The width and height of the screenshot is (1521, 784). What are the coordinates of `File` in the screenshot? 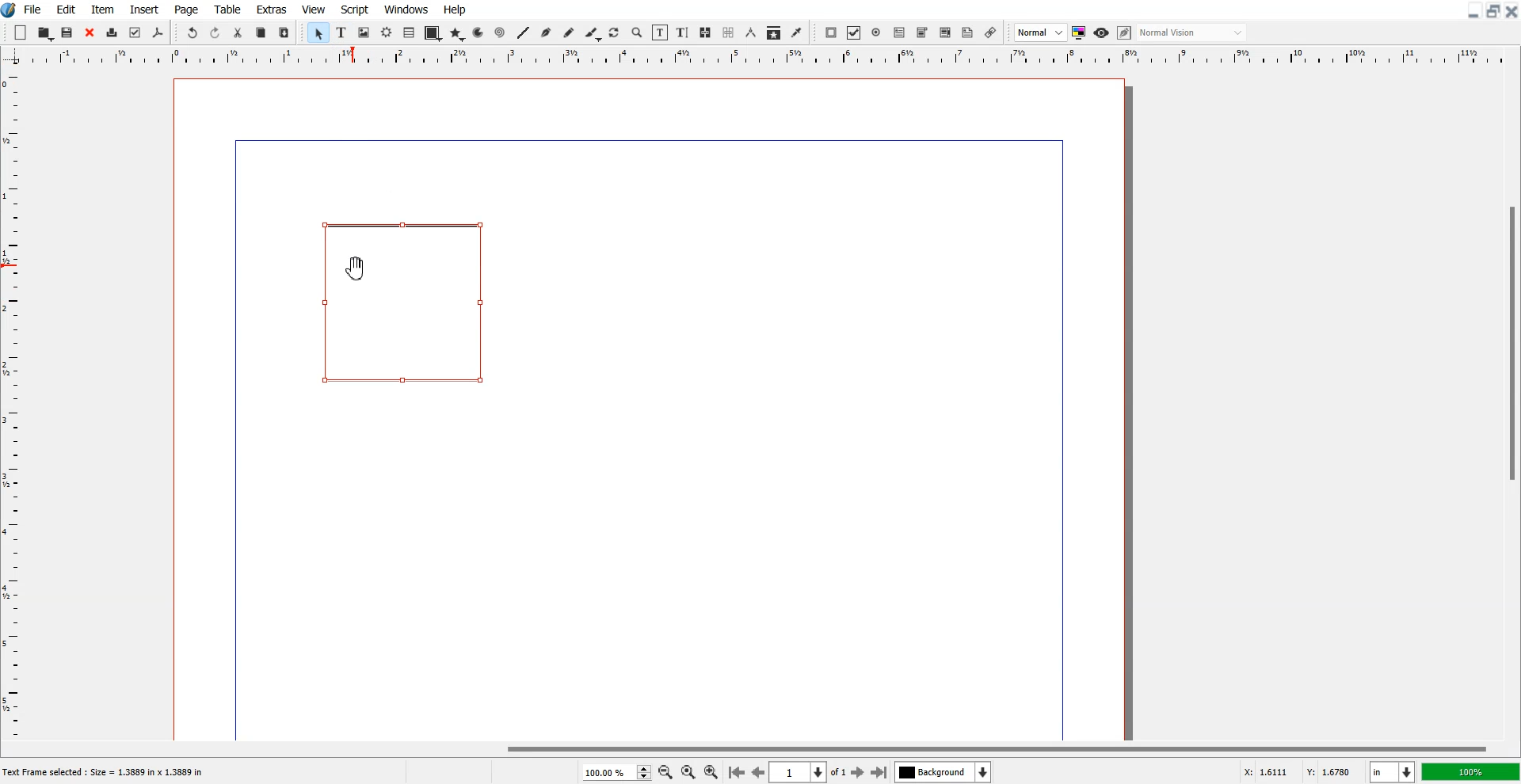 It's located at (34, 9).